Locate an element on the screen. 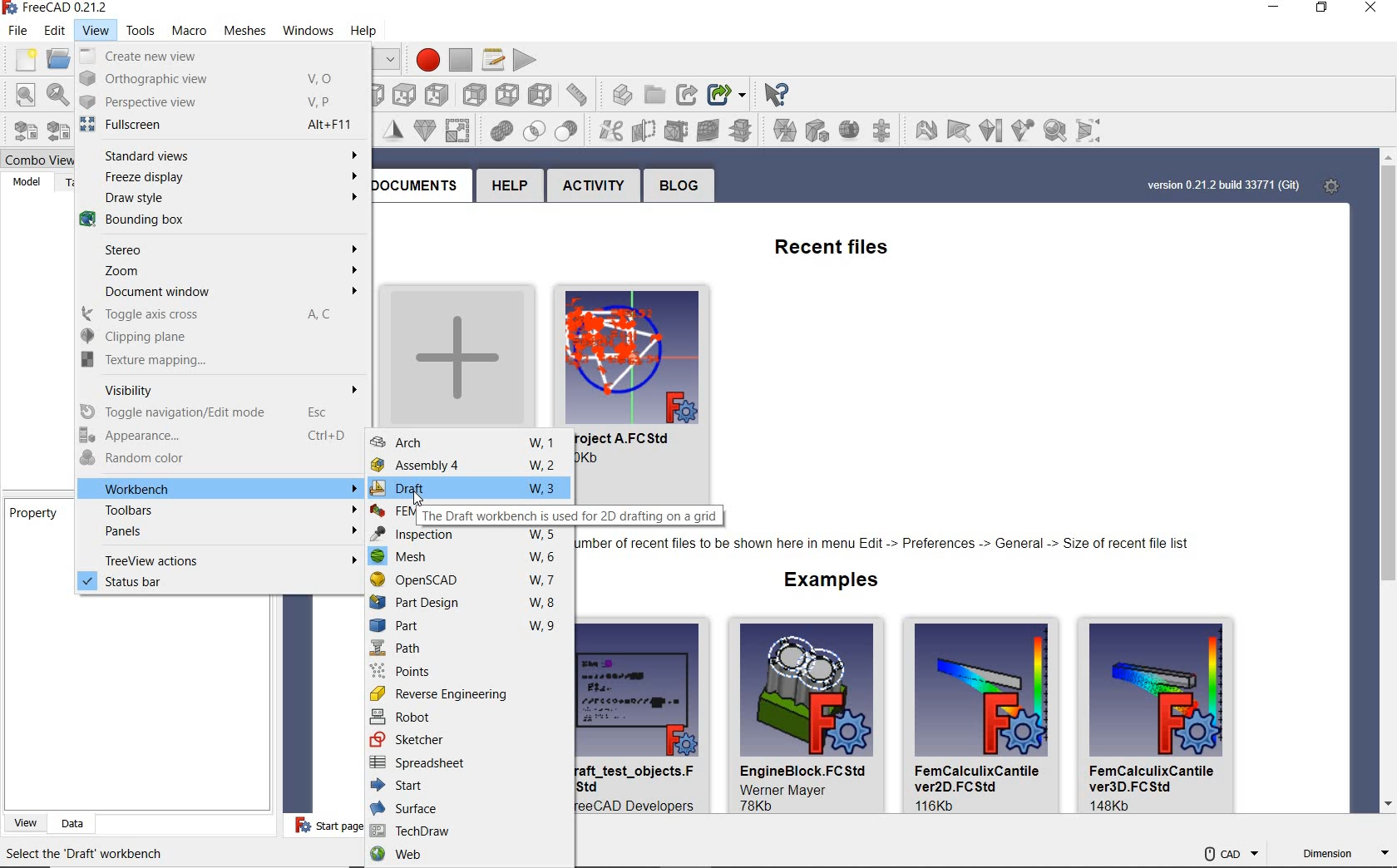 The image size is (1397, 868). split by components is located at coordinates (785, 130).